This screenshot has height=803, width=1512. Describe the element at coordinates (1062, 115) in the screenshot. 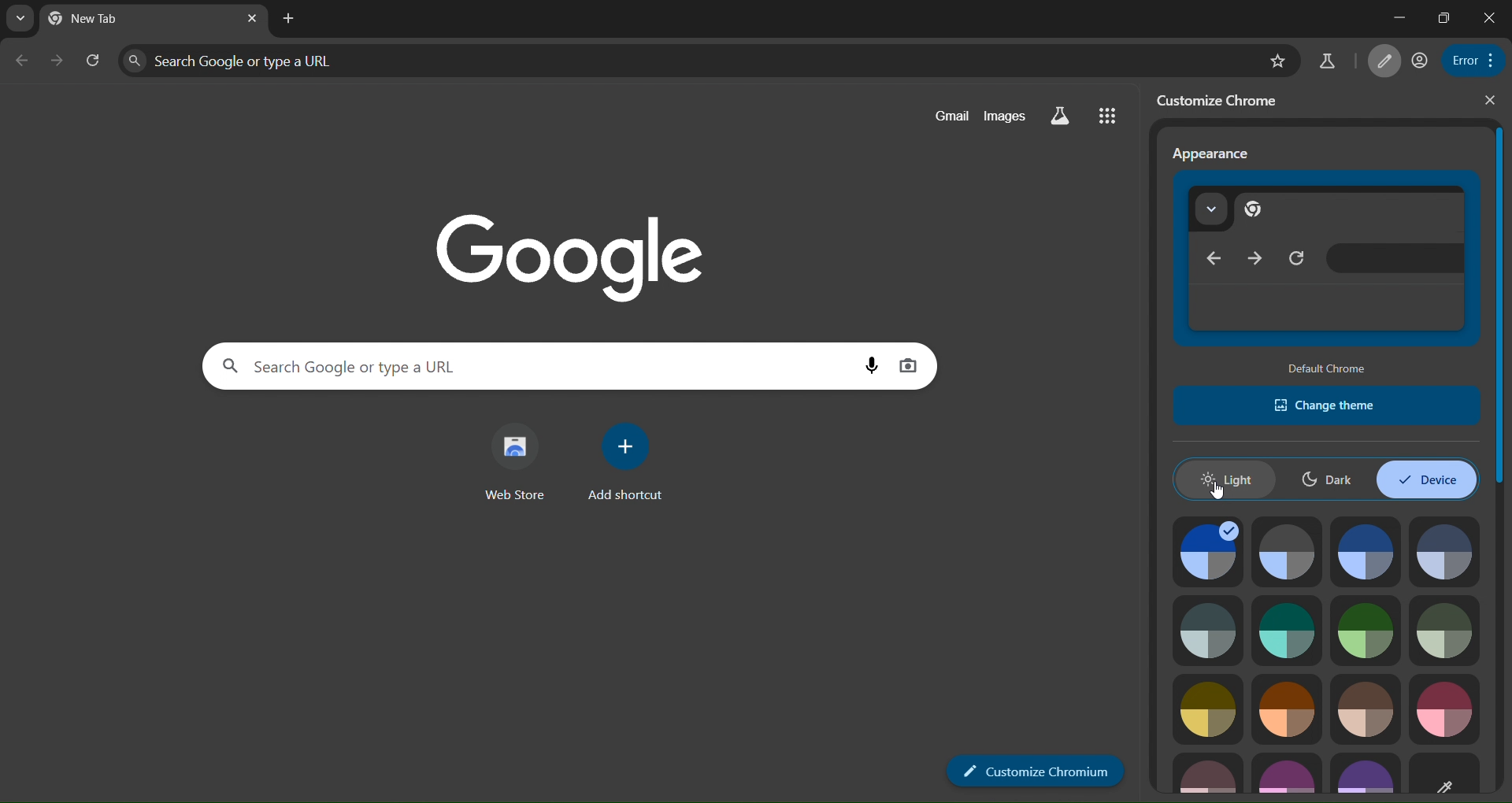

I see `search labs` at that location.